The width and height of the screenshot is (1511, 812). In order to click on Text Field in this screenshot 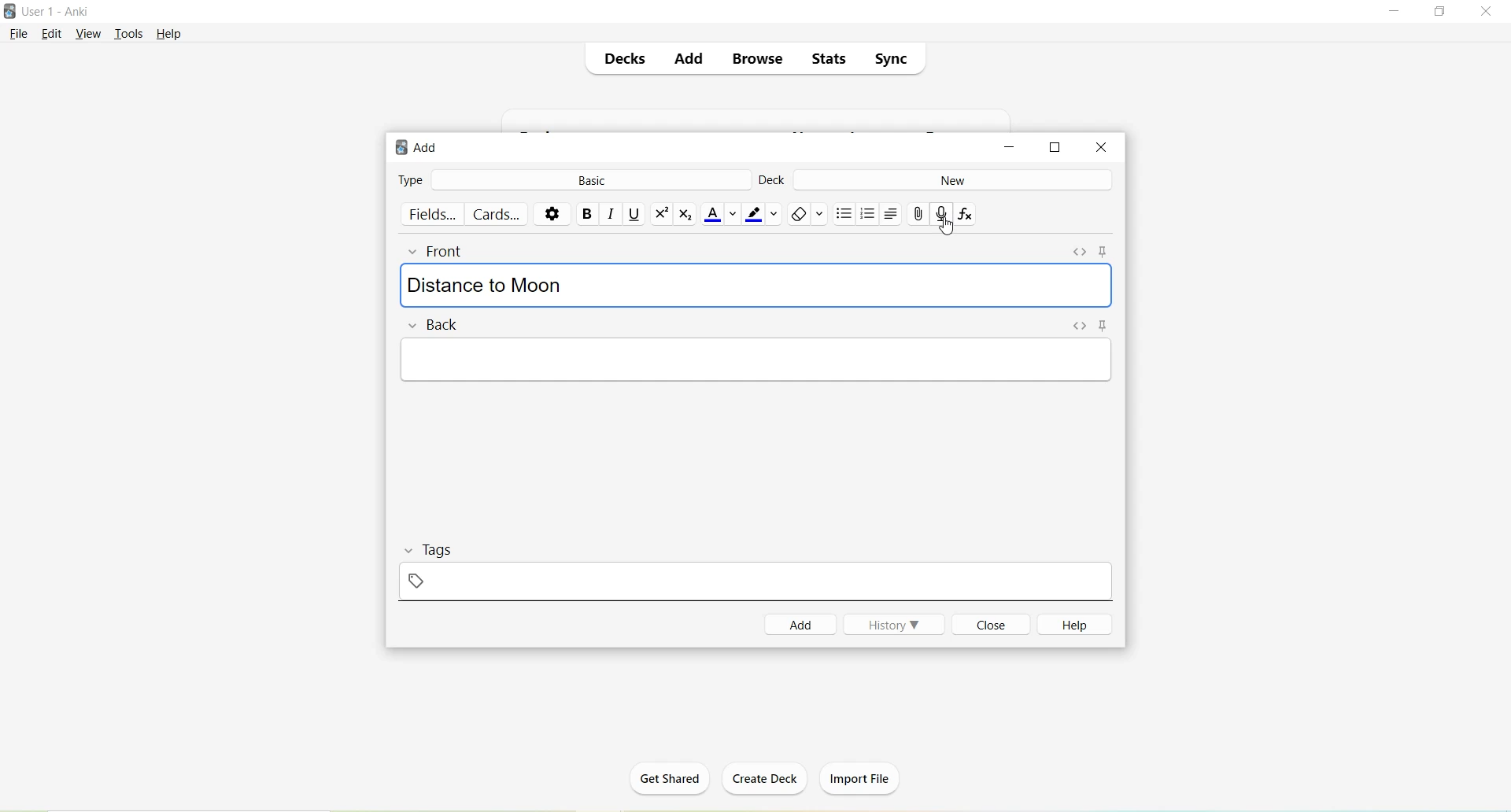, I will do `click(759, 359)`.